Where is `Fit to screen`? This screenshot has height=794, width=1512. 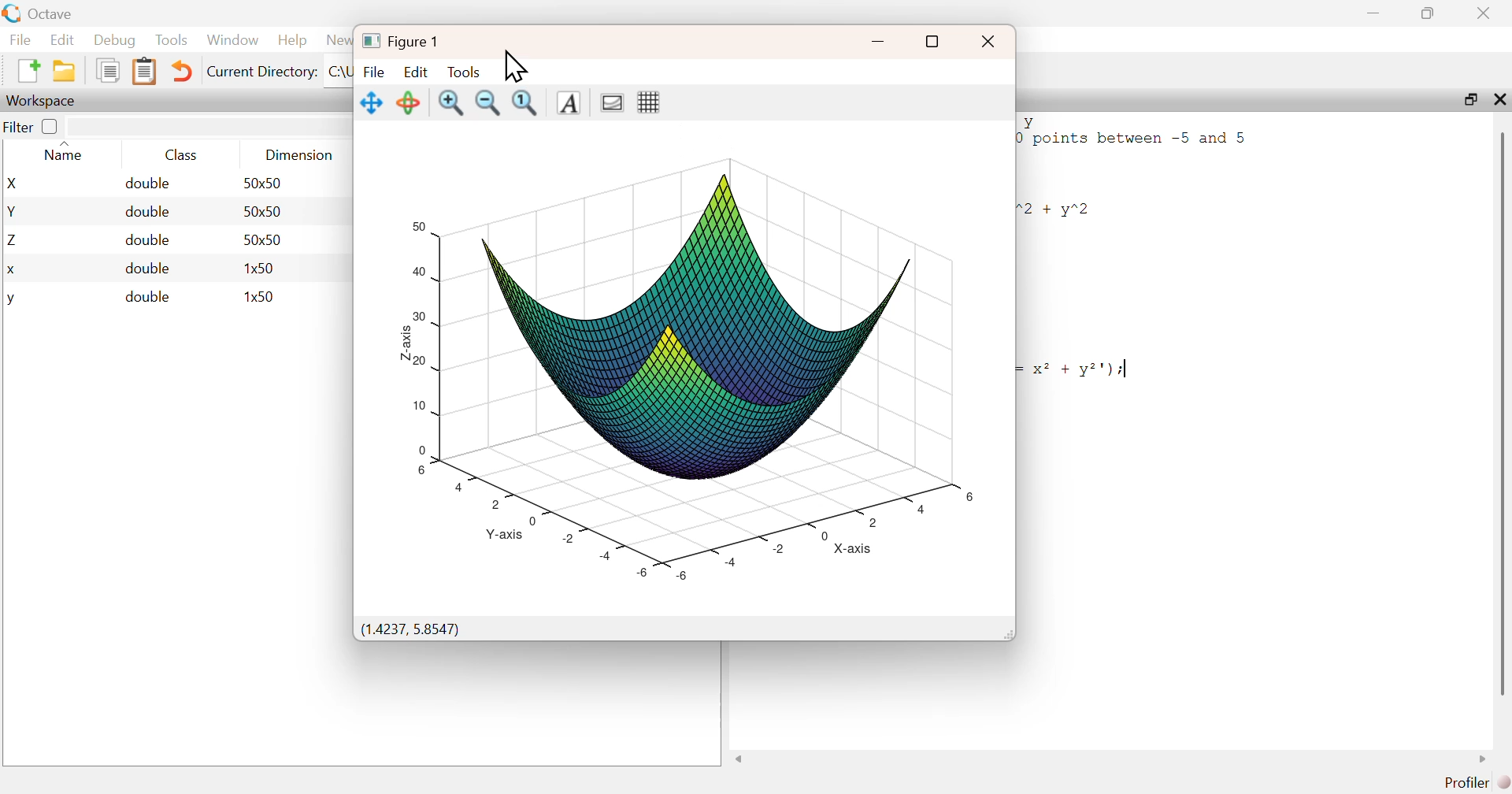
Fit to screen is located at coordinates (526, 103).